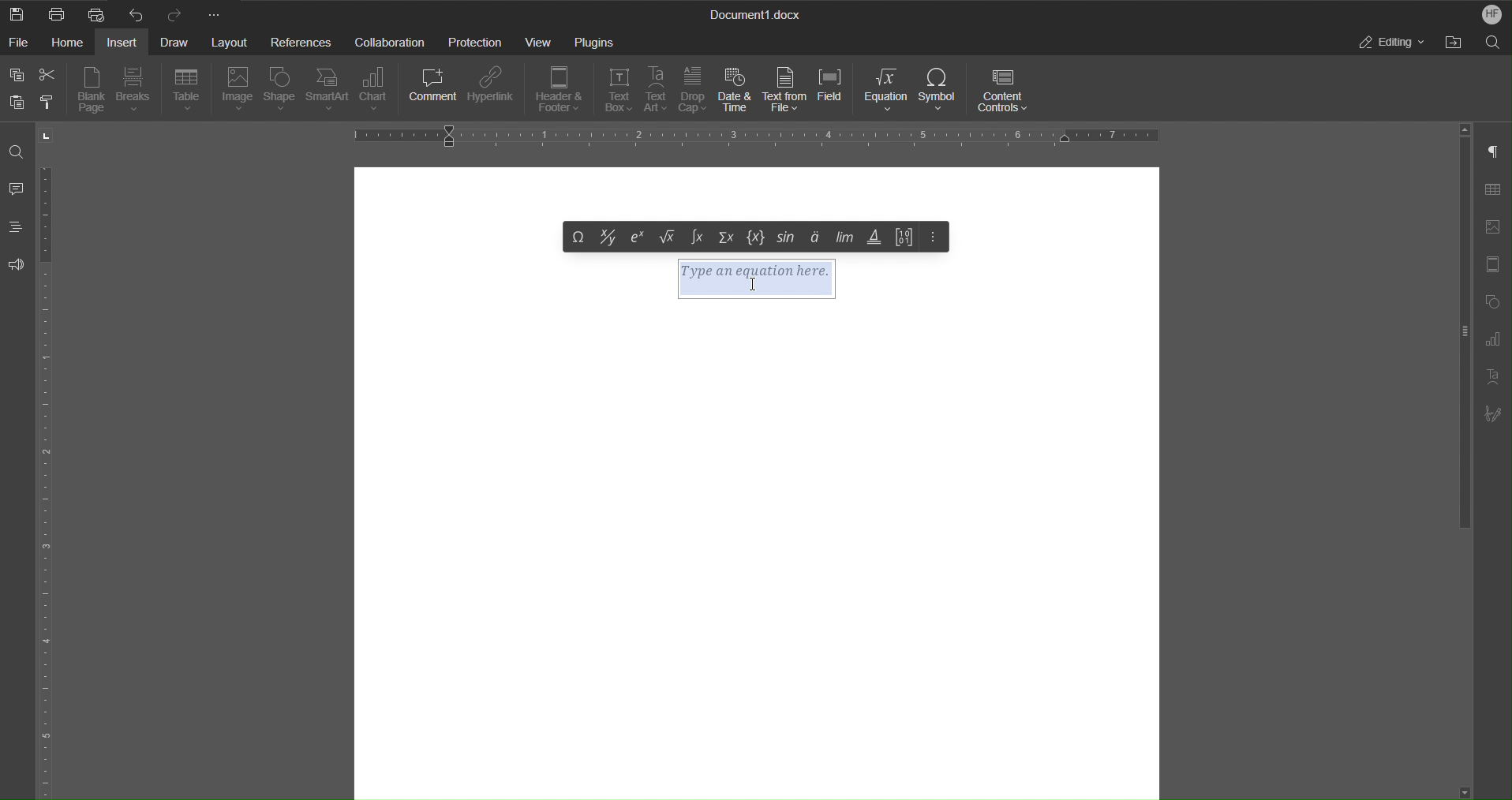  Describe the element at coordinates (1493, 340) in the screenshot. I see `Graph` at that location.